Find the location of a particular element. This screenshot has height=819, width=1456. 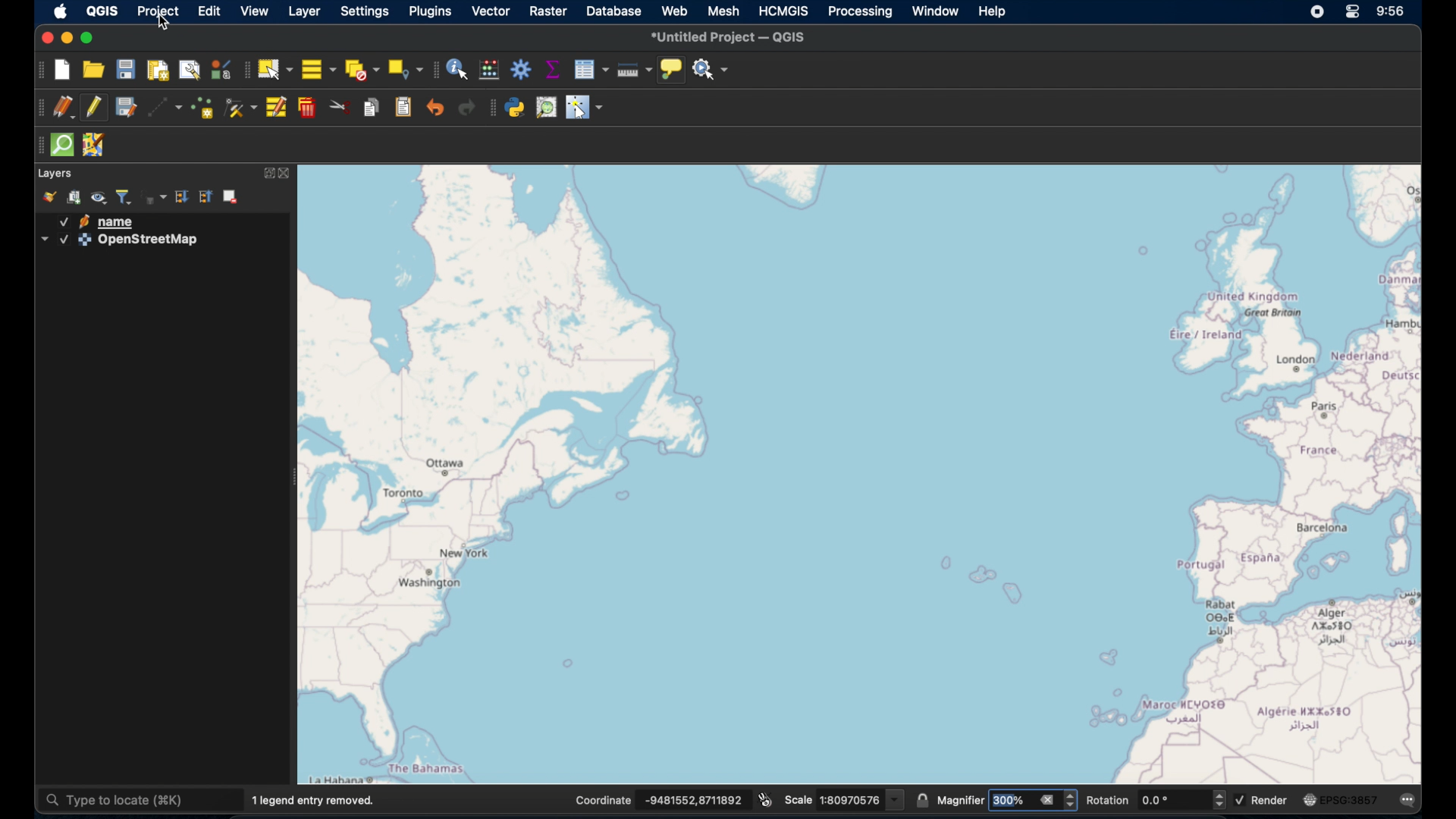

current edits is located at coordinates (64, 108).